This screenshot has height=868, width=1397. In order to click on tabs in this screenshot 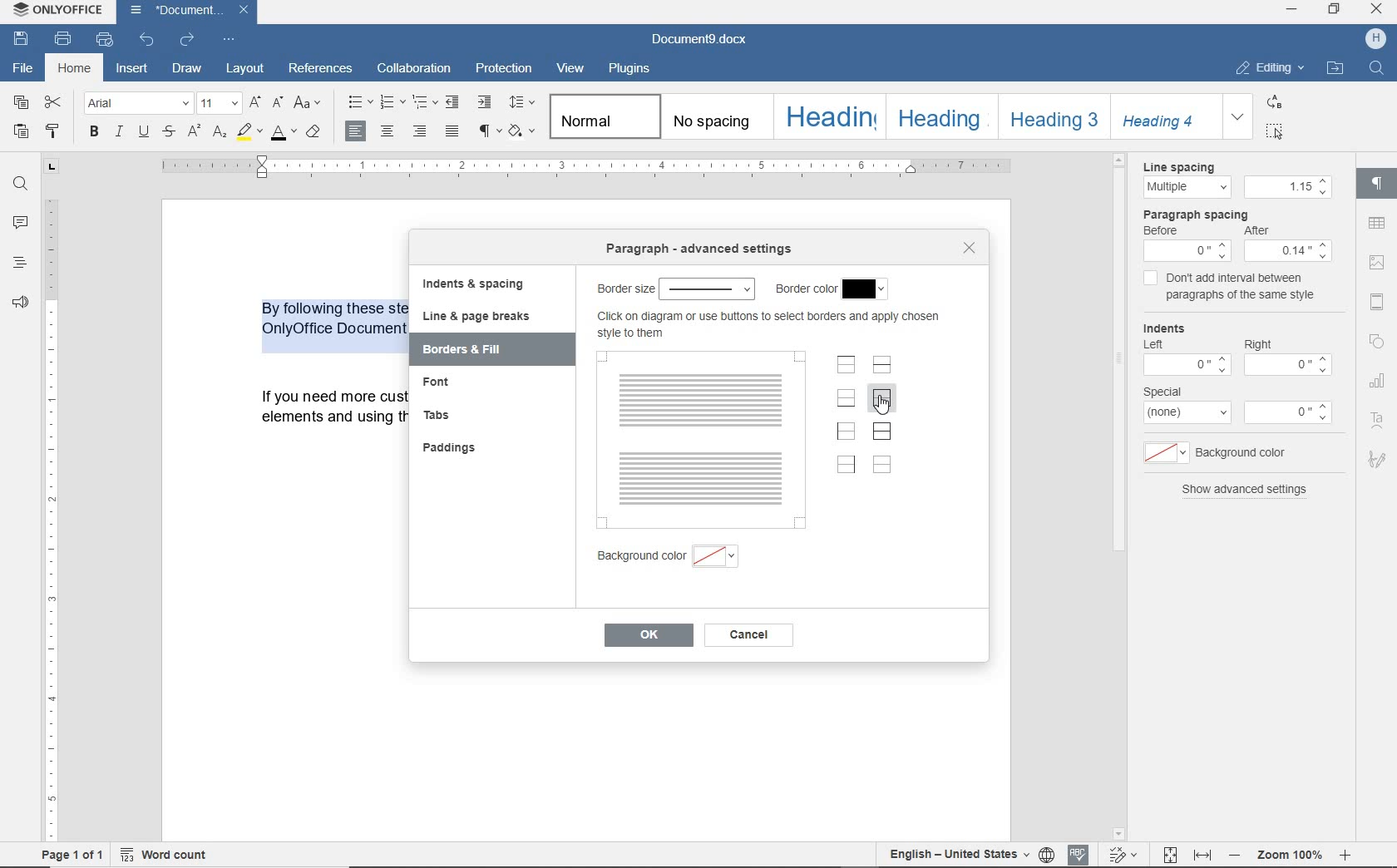, I will do `click(443, 416)`.